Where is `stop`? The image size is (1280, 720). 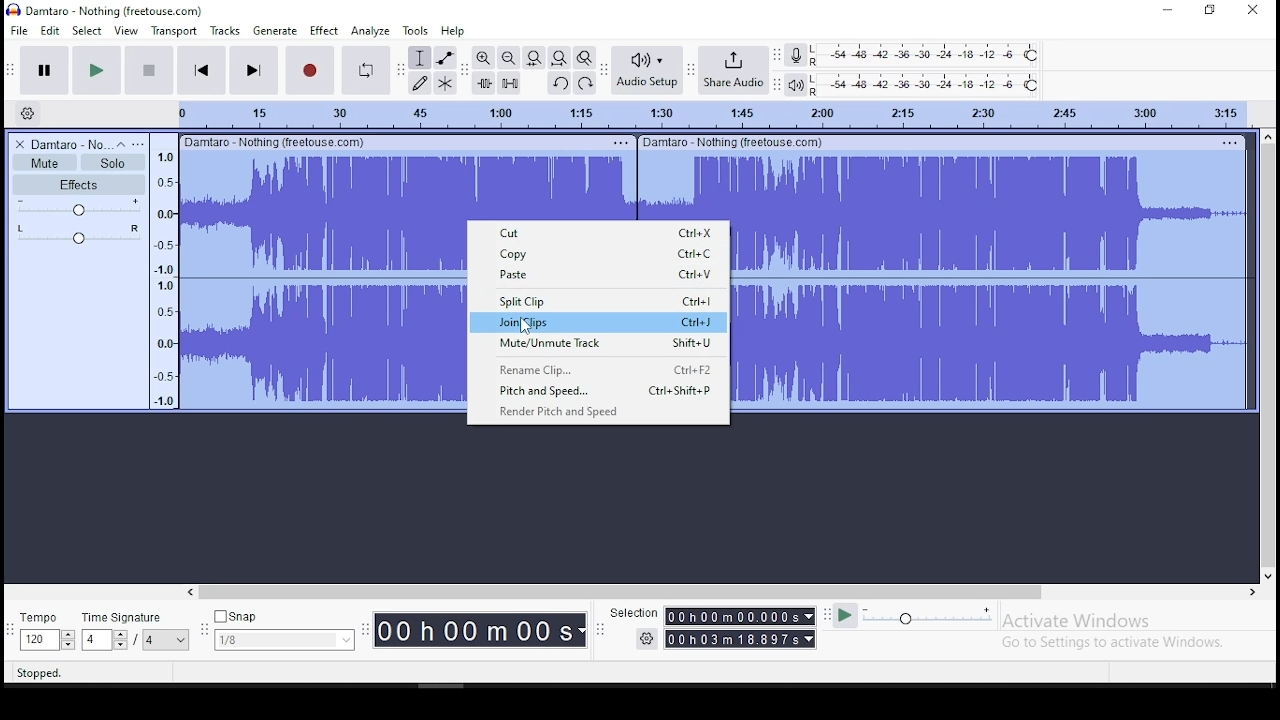
stop is located at coordinates (149, 69).